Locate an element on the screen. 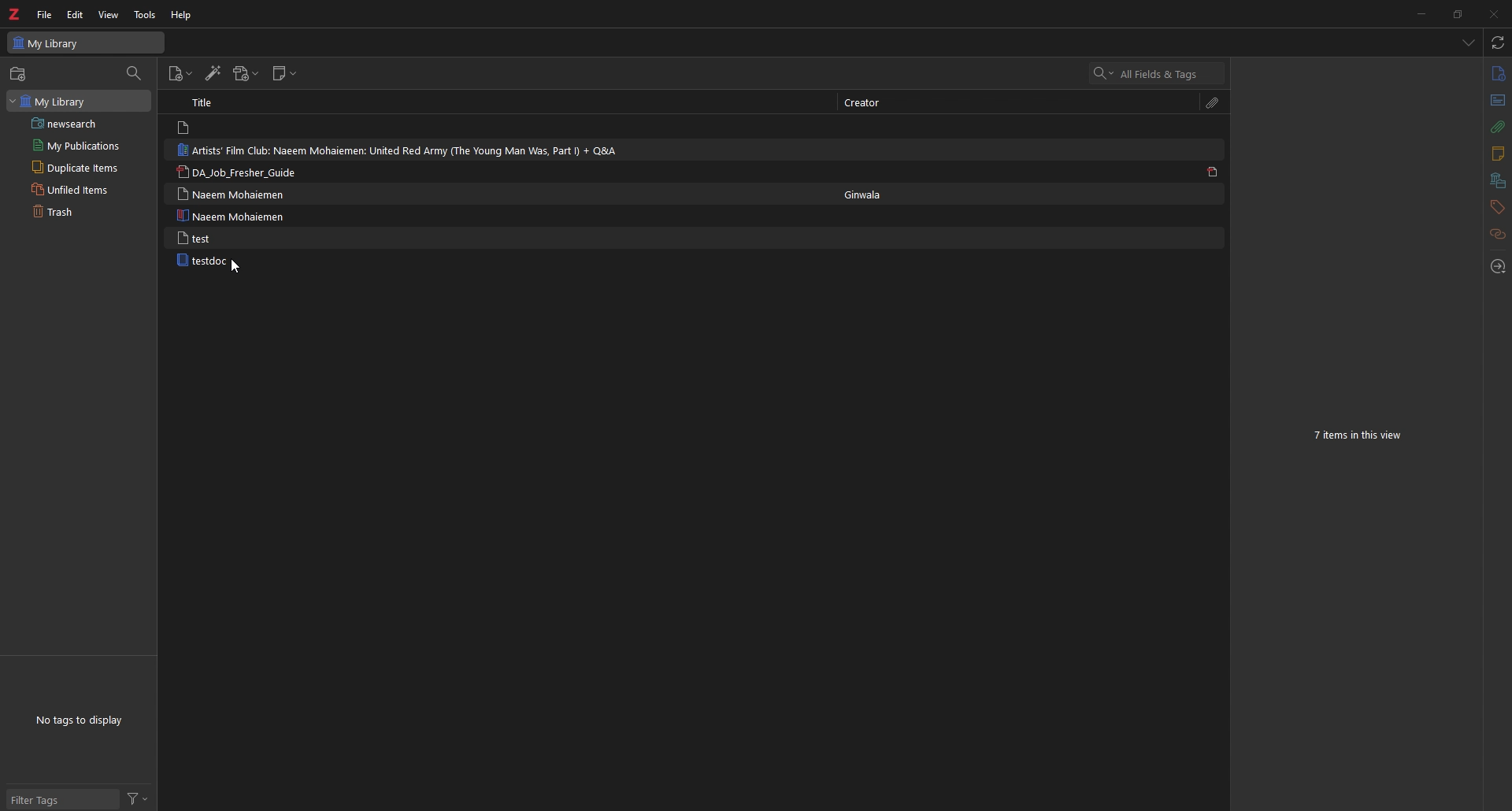 Image resolution: width=1512 pixels, height=811 pixels. attachment is located at coordinates (1213, 103).